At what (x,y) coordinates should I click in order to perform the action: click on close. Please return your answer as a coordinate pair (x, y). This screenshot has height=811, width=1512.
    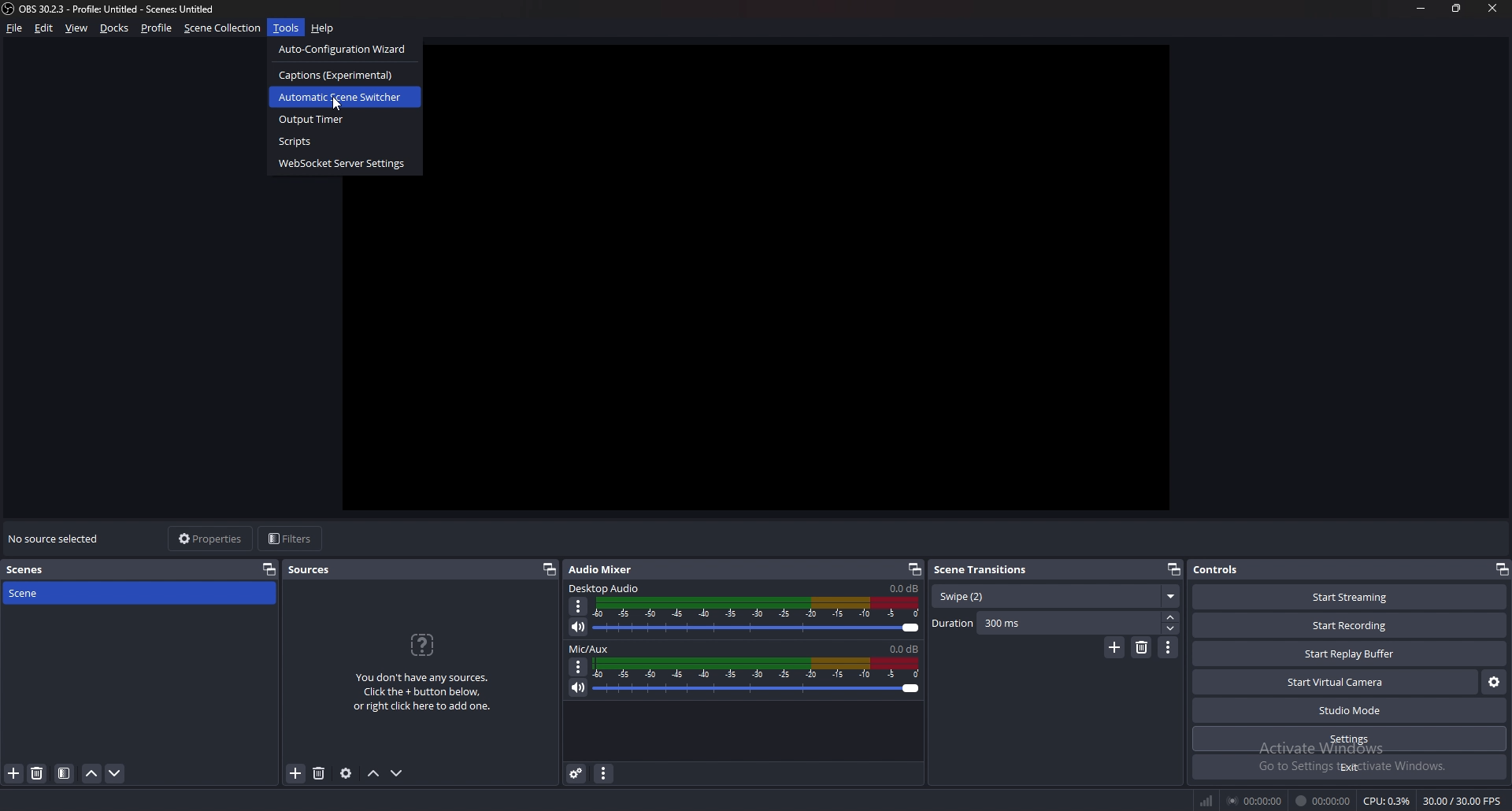
    Looking at the image, I should click on (1489, 7).